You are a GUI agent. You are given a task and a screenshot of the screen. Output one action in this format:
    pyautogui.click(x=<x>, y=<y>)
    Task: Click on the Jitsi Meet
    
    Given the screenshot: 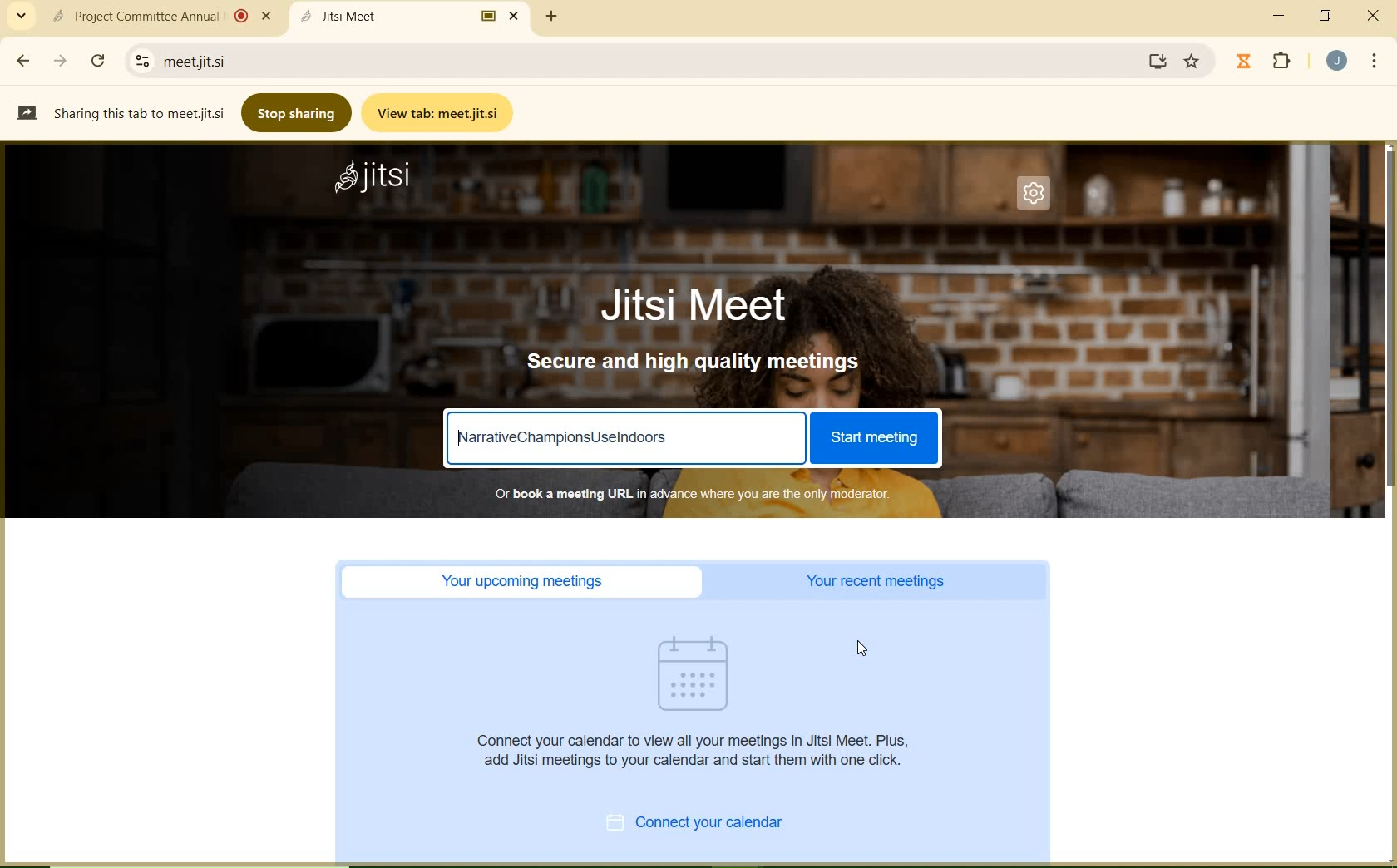 What is the action you would take?
    pyautogui.click(x=408, y=17)
    